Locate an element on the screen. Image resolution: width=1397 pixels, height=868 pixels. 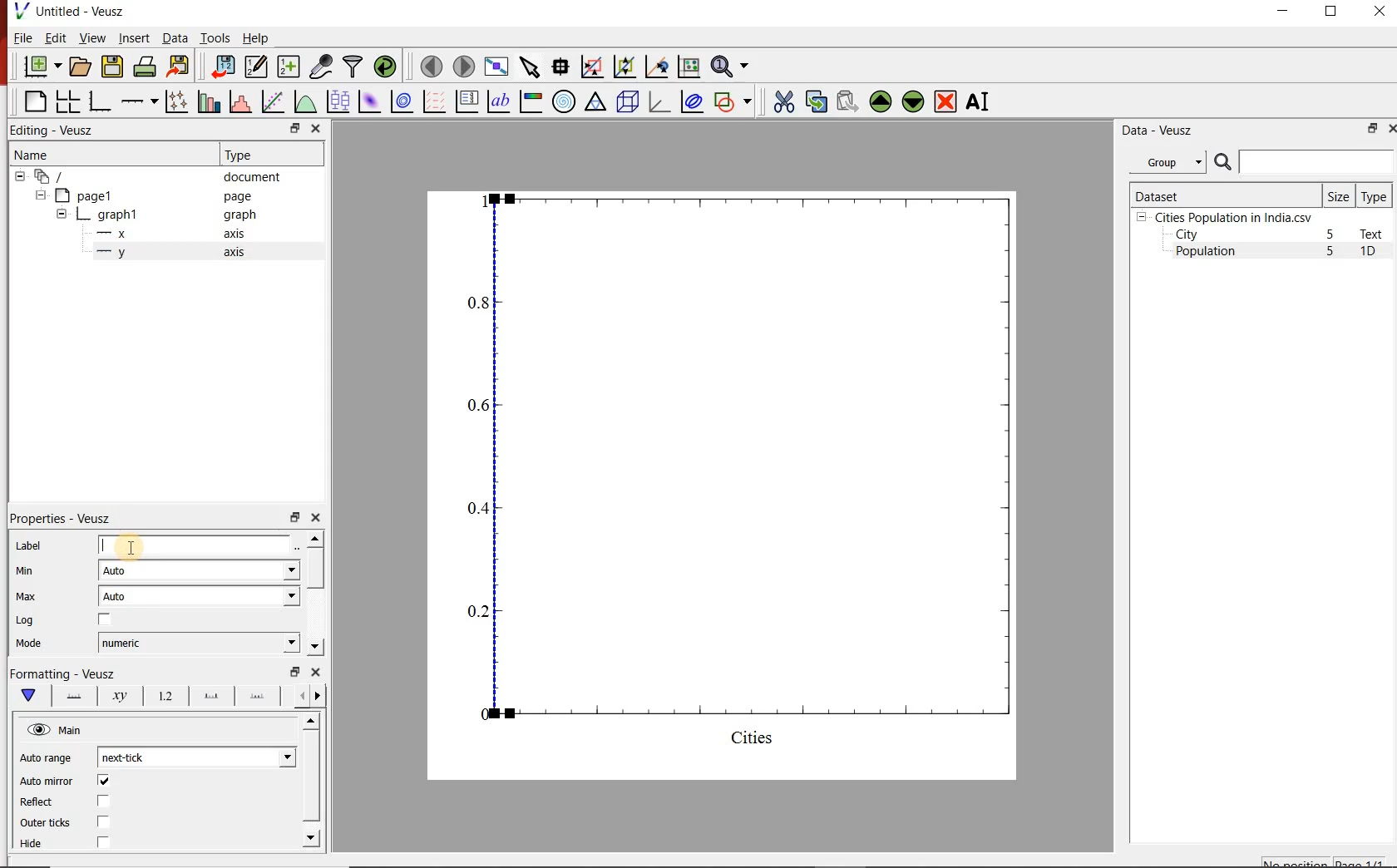
plot a 2d dataset as contours is located at coordinates (400, 101).